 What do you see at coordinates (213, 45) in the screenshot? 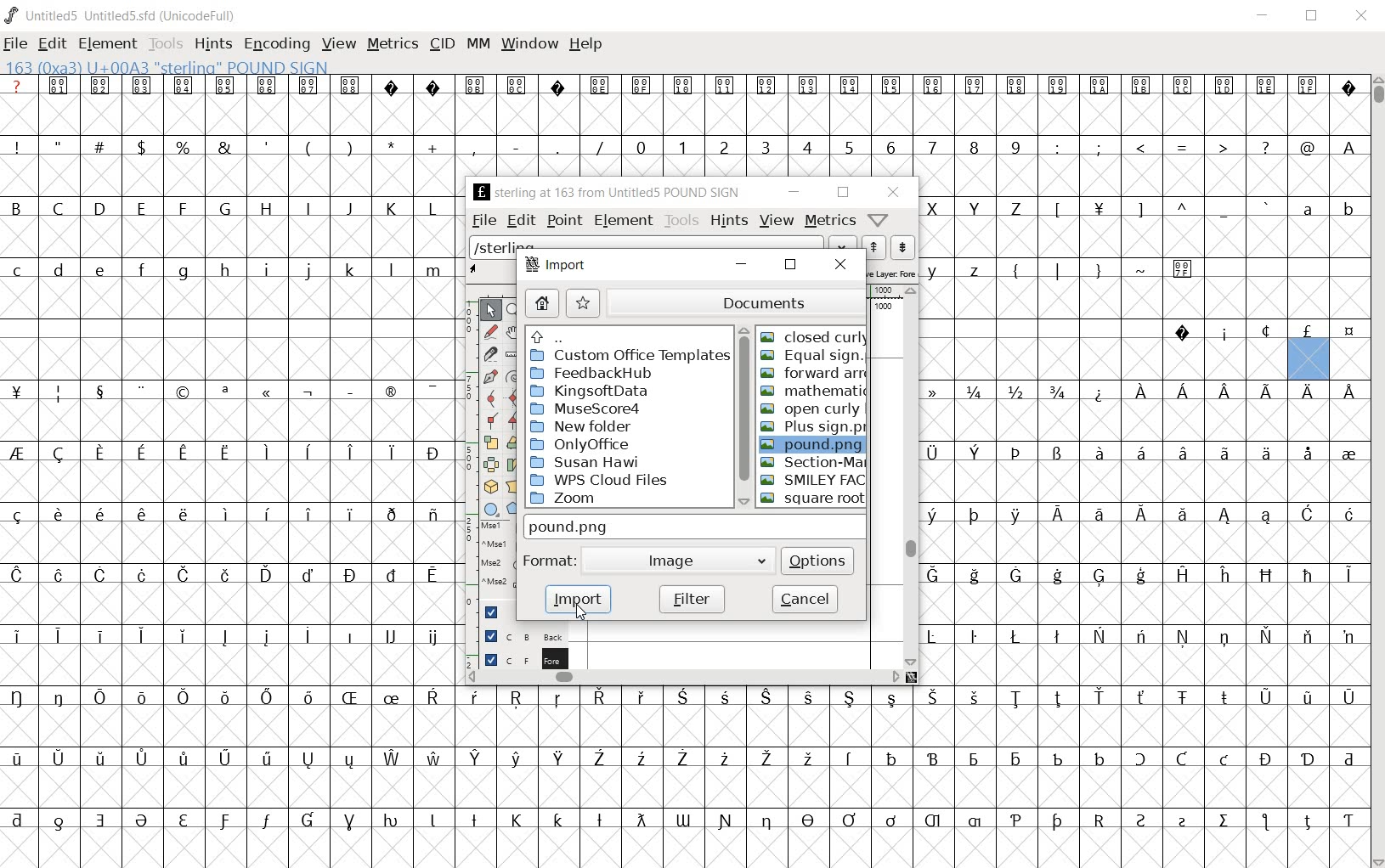
I see `HINTS` at bounding box center [213, 45].